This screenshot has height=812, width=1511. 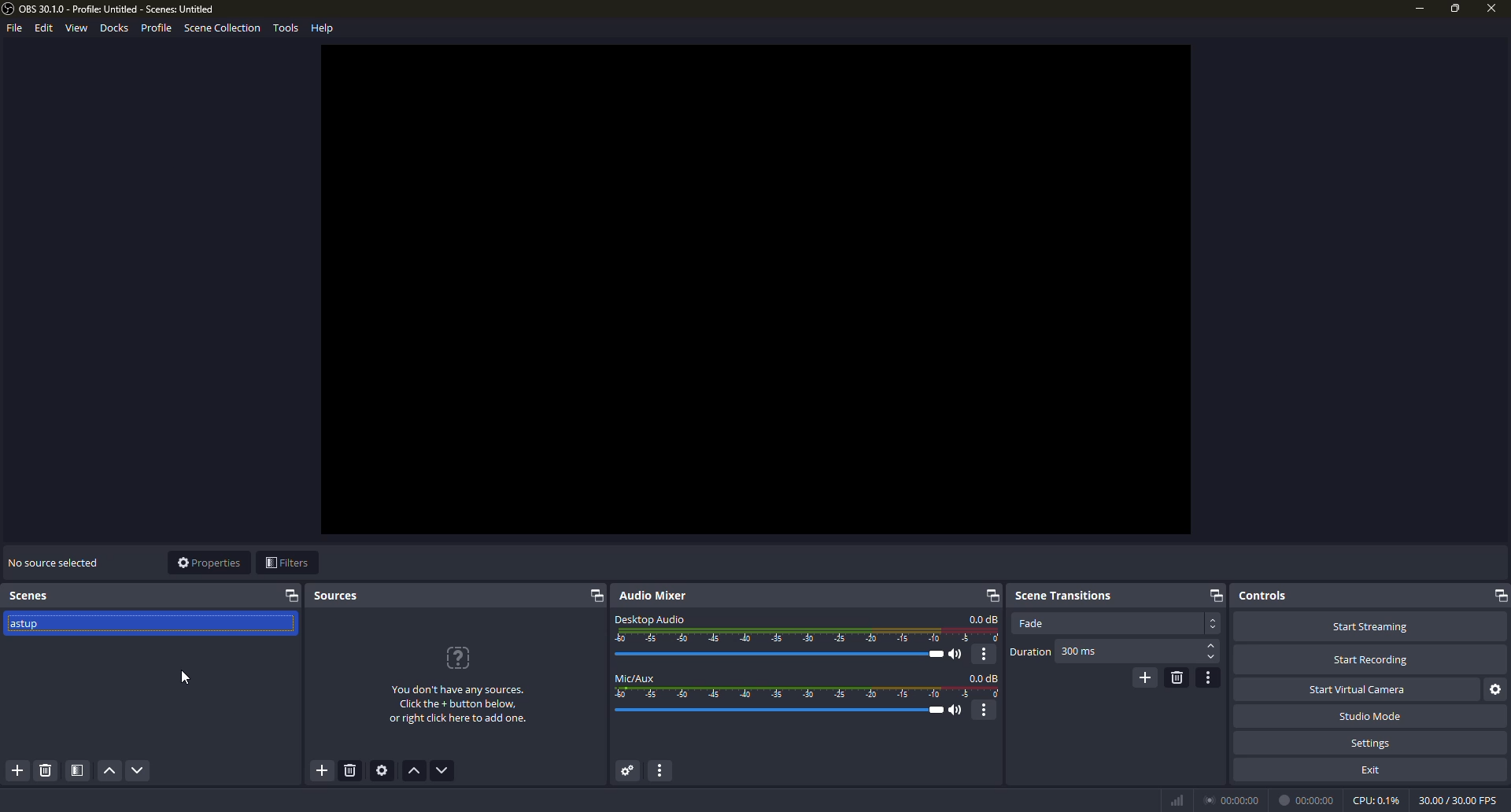 What do you see at coordinates (1211, 659) in the screenshot?
I see `select down` at bounding box center [1211, 659].